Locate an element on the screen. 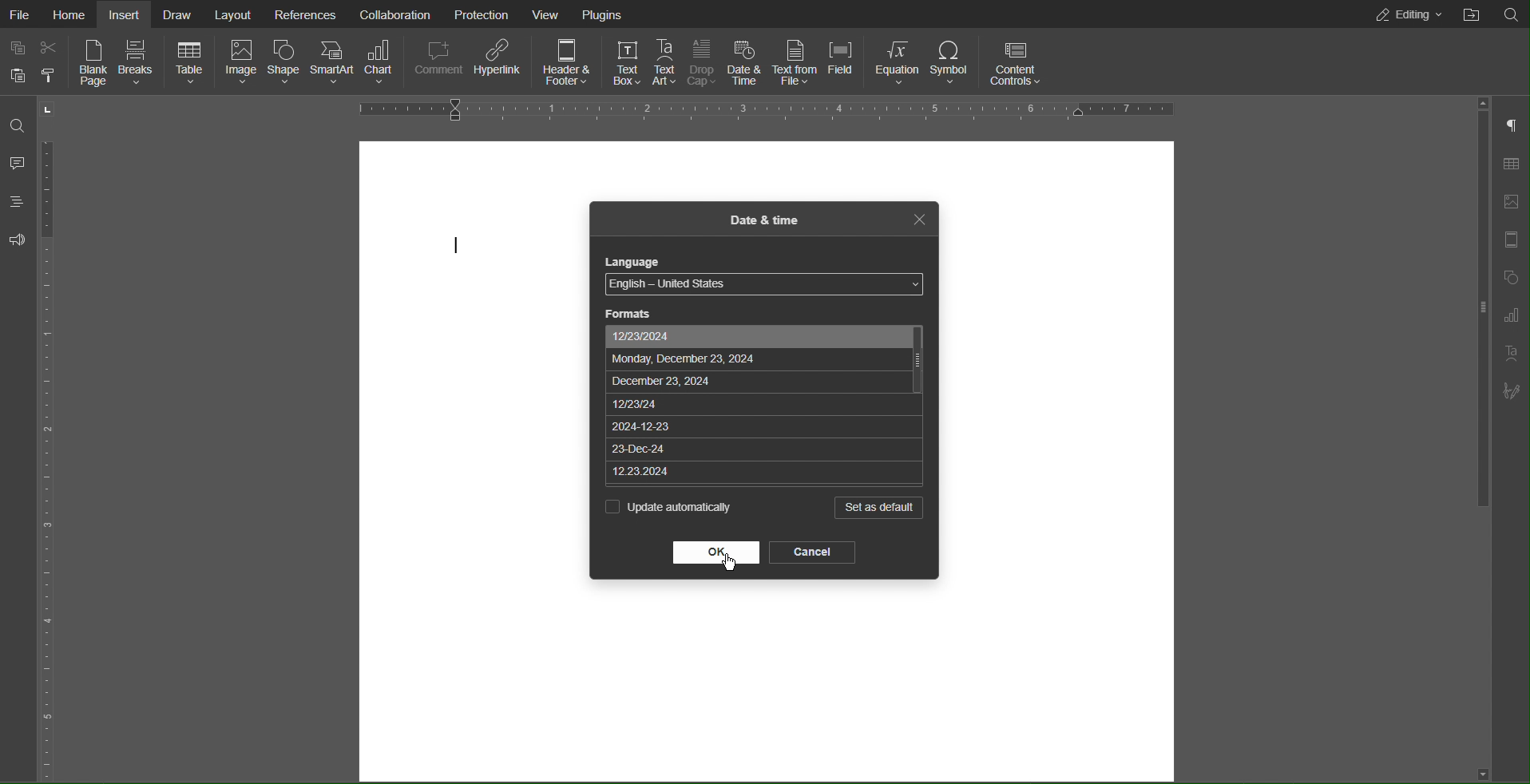 This screenshot has width=1530, height=784. Paste is located at coordinates (18, 78).